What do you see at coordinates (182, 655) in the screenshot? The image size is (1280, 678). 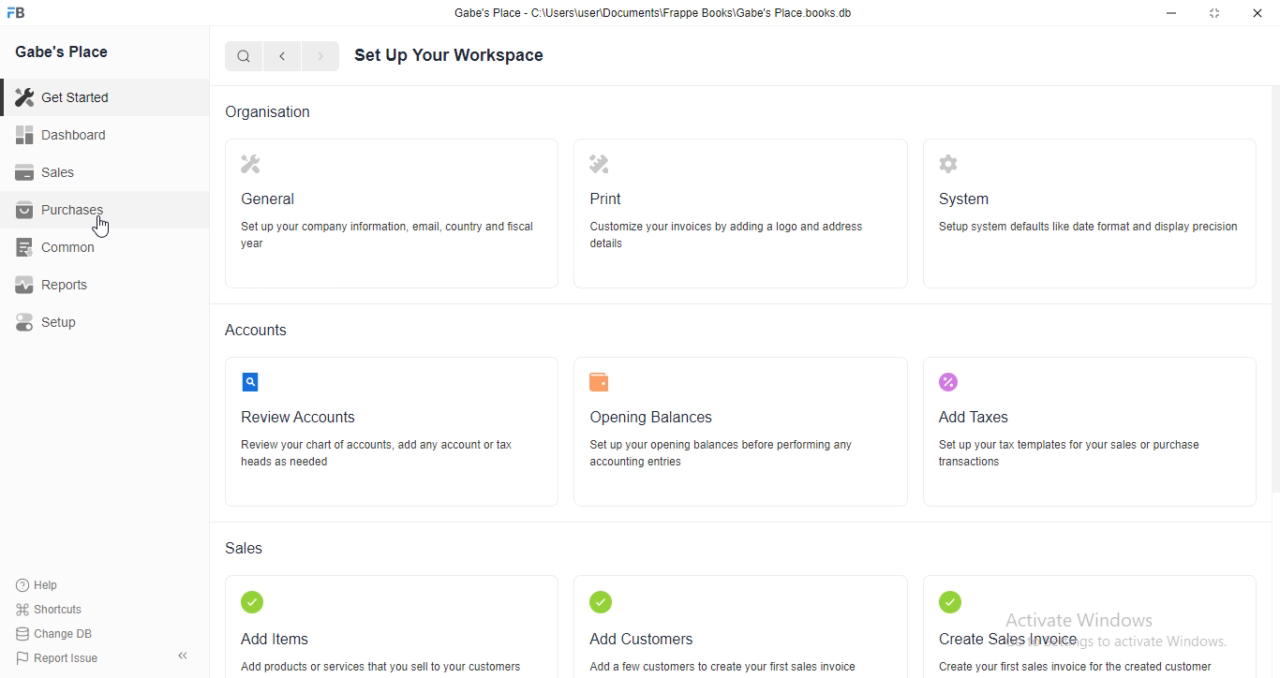 I see `collapse sidebar` at bounding box center [182, 655].